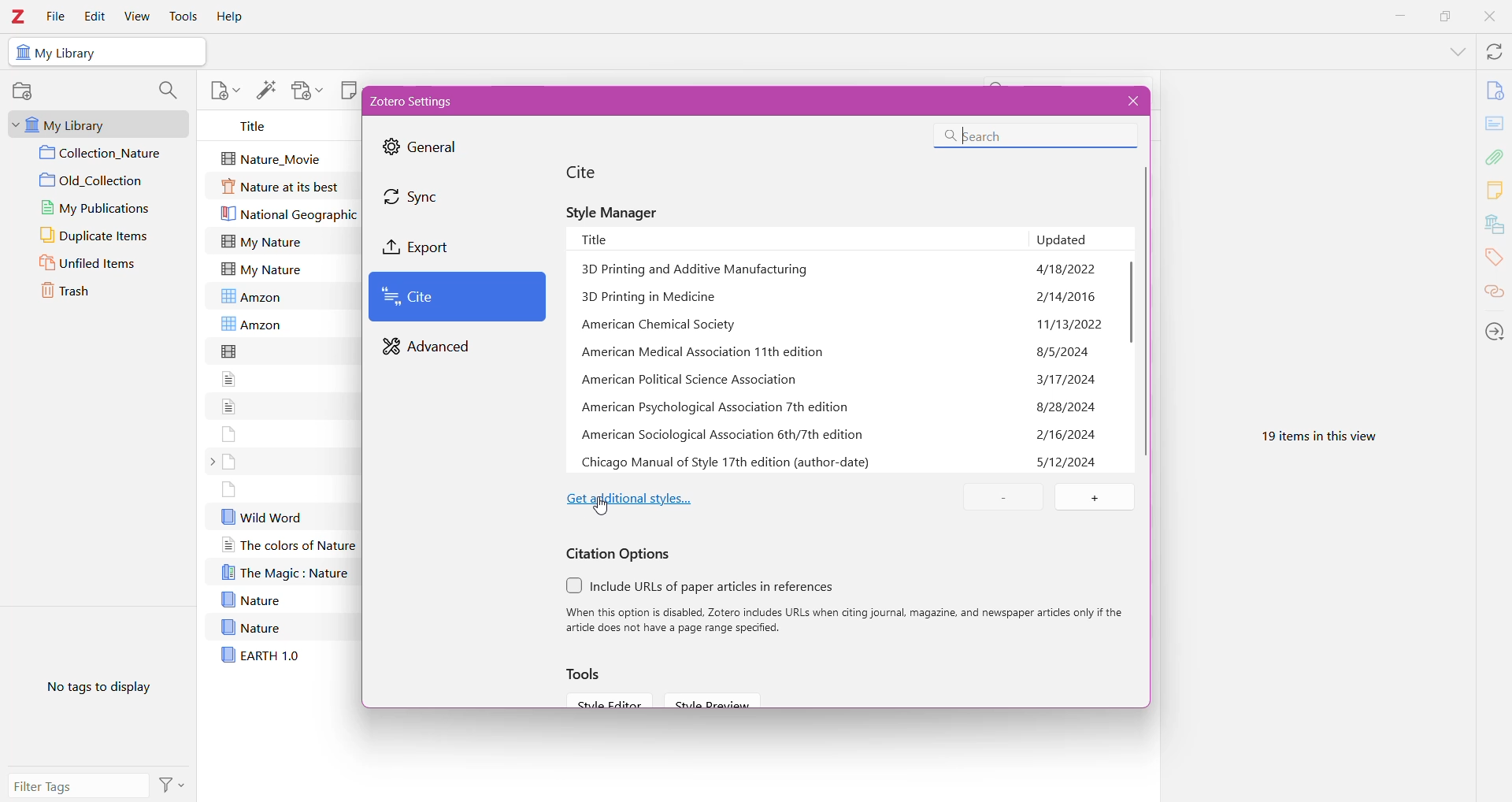 Image resolution: width=1512 pixels, height=802 pixels. I want to click on Style Manager, so click(618, 211).